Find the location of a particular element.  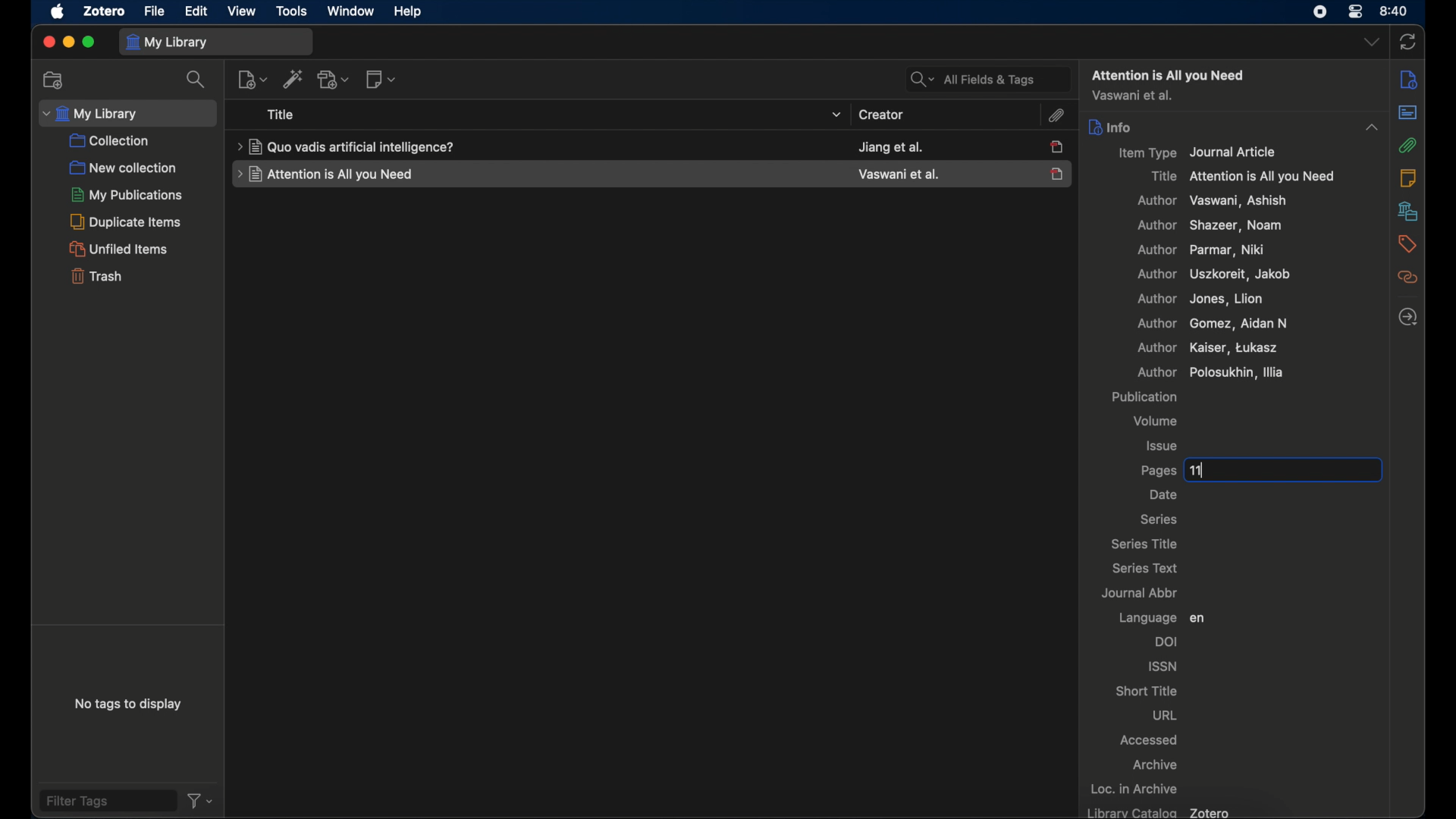

library catalog zotero is located at coordinates (1160, 811).